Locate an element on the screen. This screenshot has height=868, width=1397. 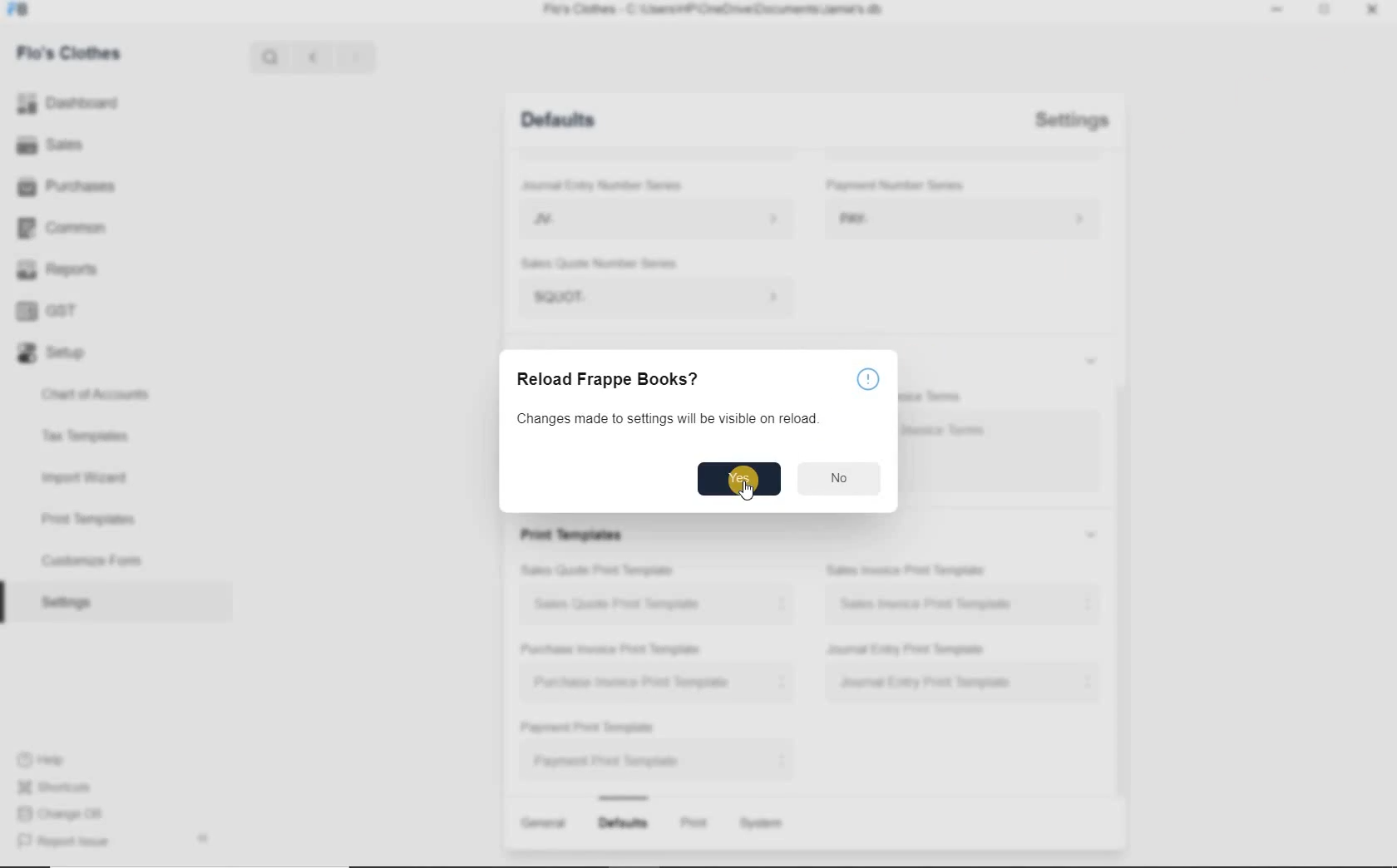
Customize Form is located at coordinates (91, 561).